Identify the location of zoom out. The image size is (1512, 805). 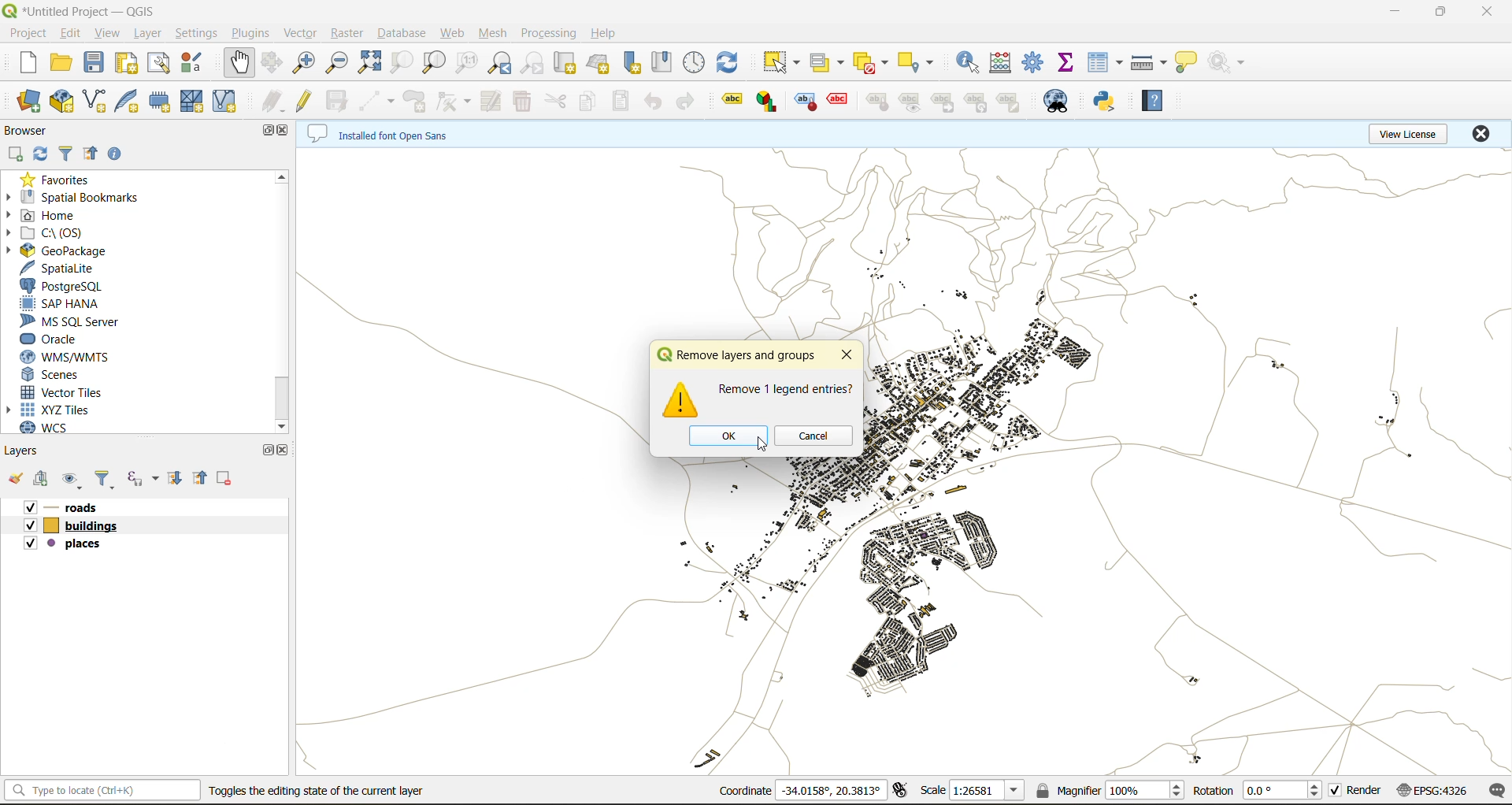
(339, 65).